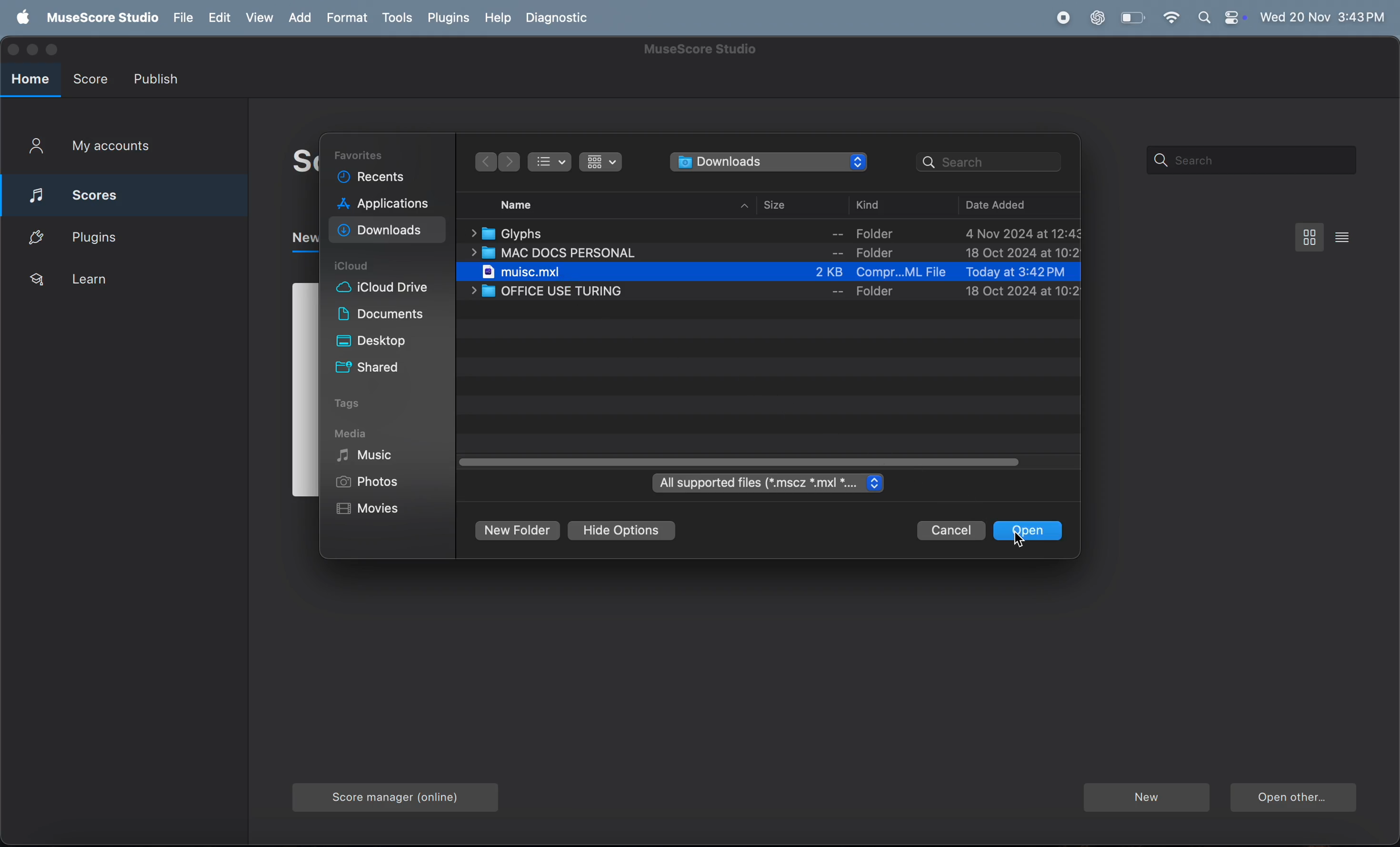  Describe the element at coordinates (776, 254) in the screenshot. I see `mac docs personal` at that location.